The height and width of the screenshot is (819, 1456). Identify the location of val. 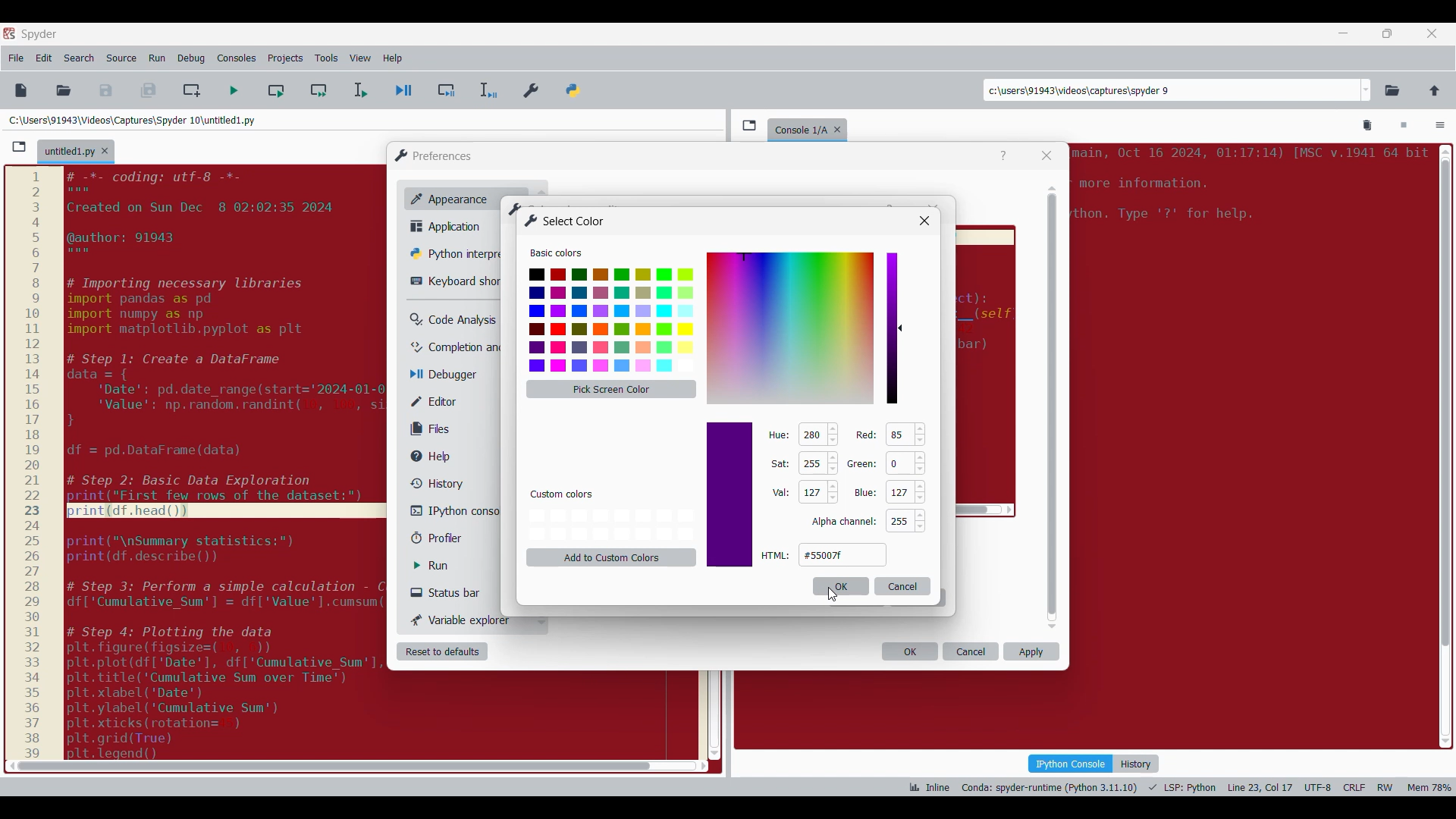
(780, 493).